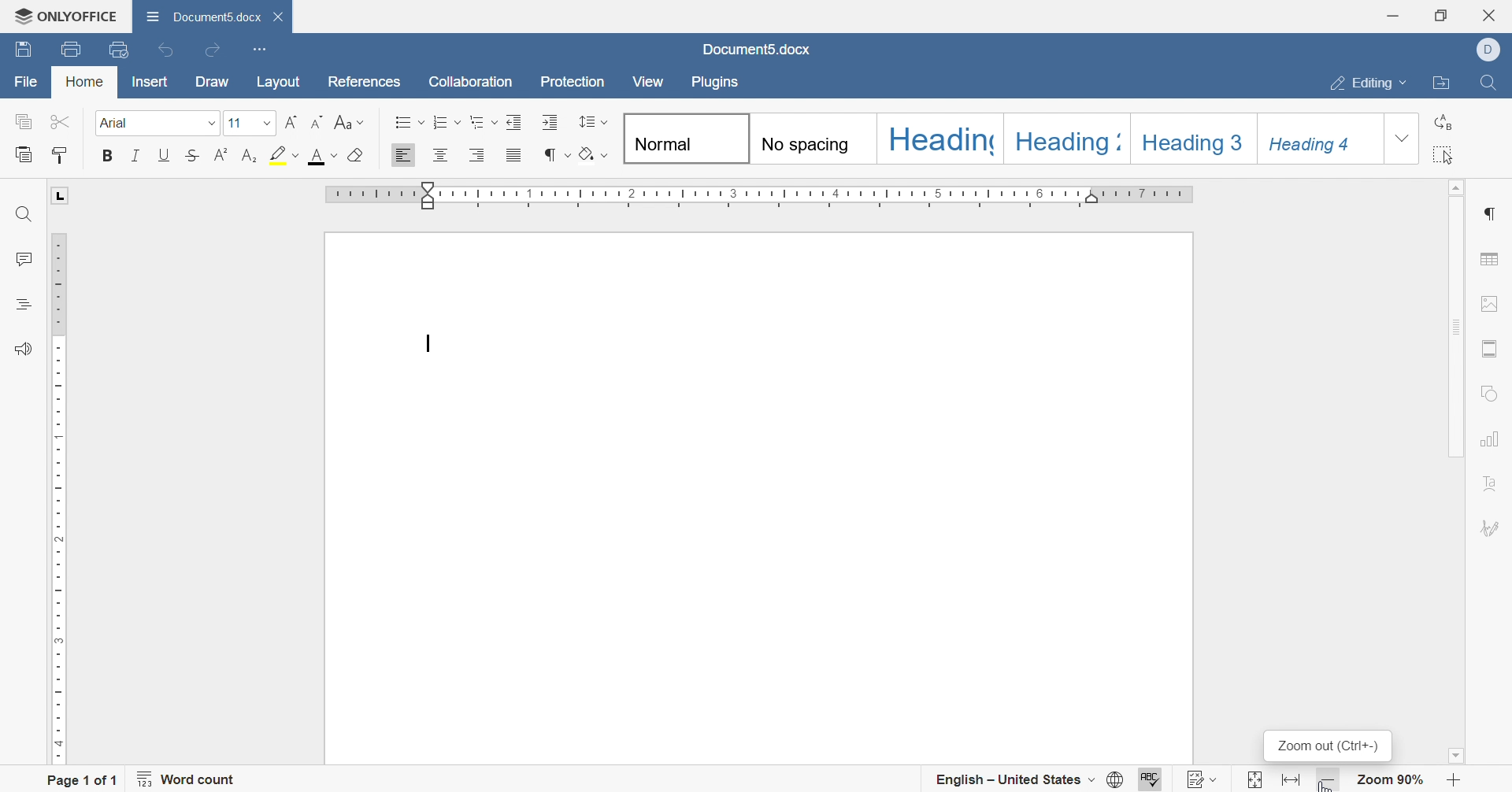  What do you see at coordinates (1492, 526) in the screenshot?
I see `signature settings` at bounding box center [1492, 526].